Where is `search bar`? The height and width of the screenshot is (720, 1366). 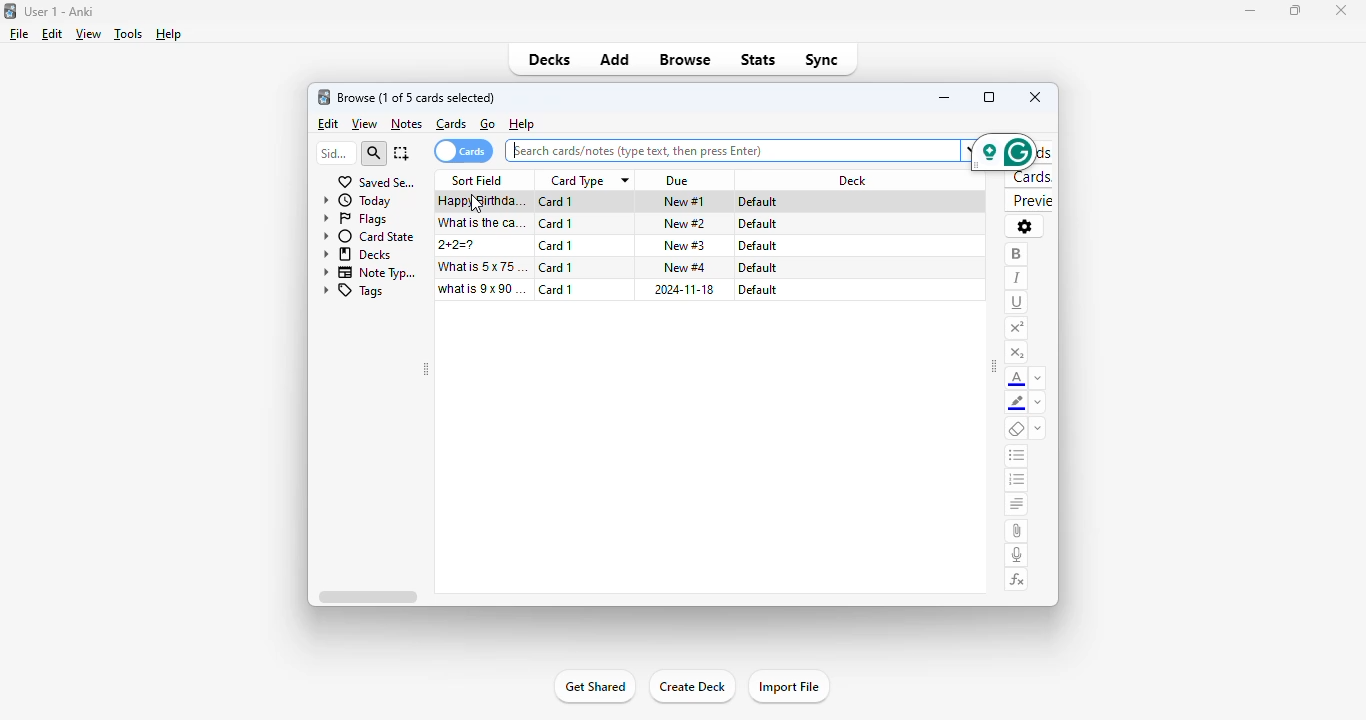 search bar is located at coordinates (739, 150).